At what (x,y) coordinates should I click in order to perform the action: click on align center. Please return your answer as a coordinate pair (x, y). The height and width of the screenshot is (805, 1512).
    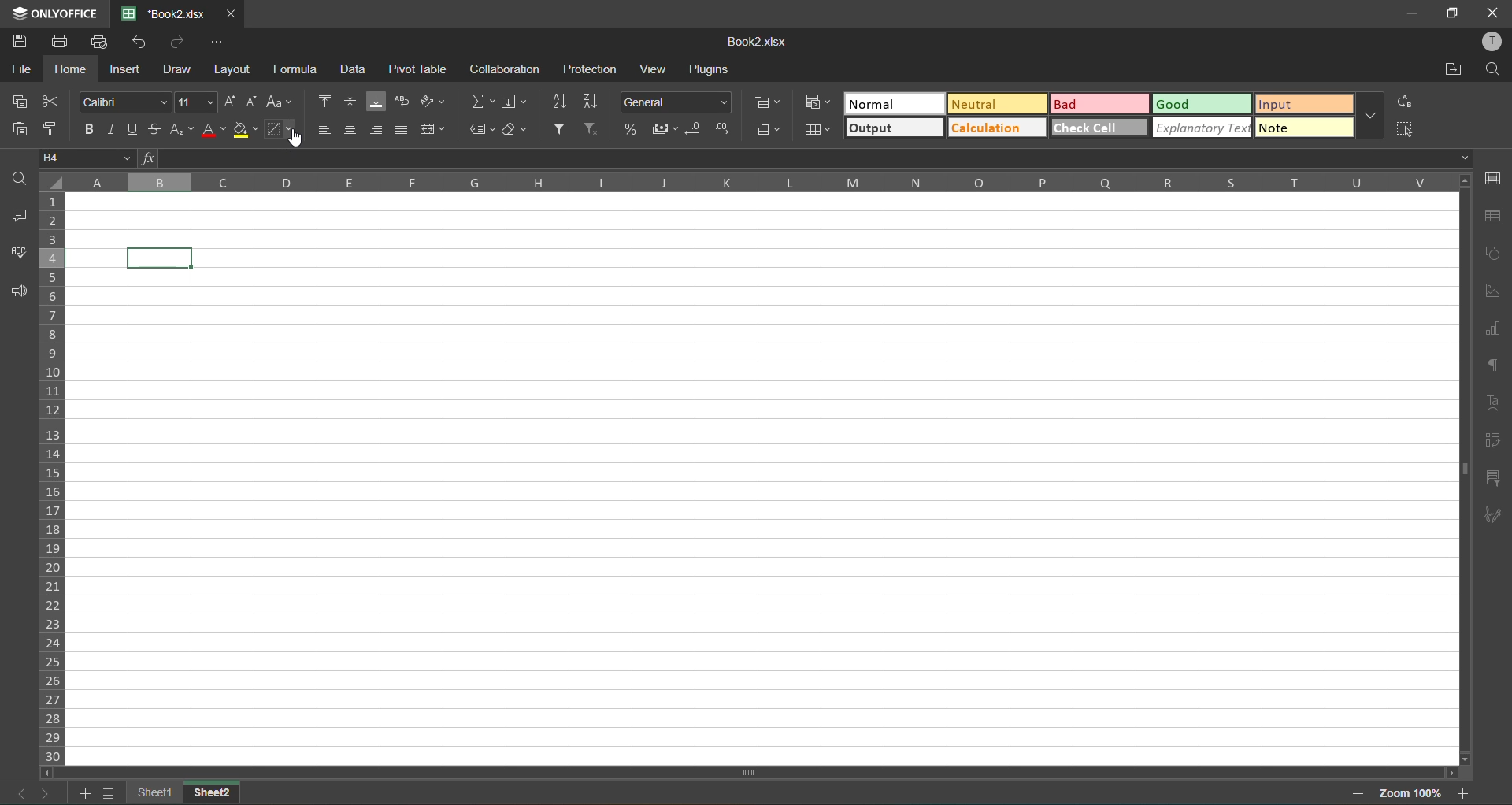
    Looking at the image, I should click on (352, 128).